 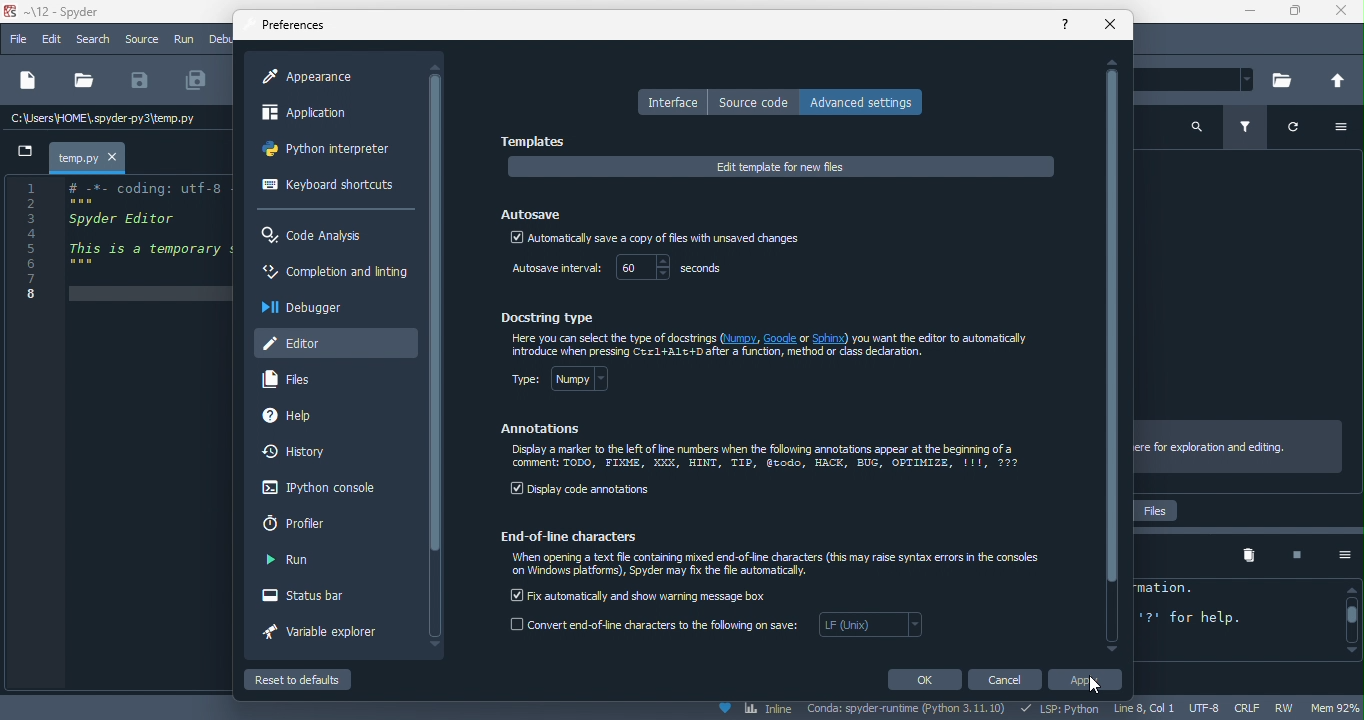 I want to click on debug, so click(x=220, y=38).